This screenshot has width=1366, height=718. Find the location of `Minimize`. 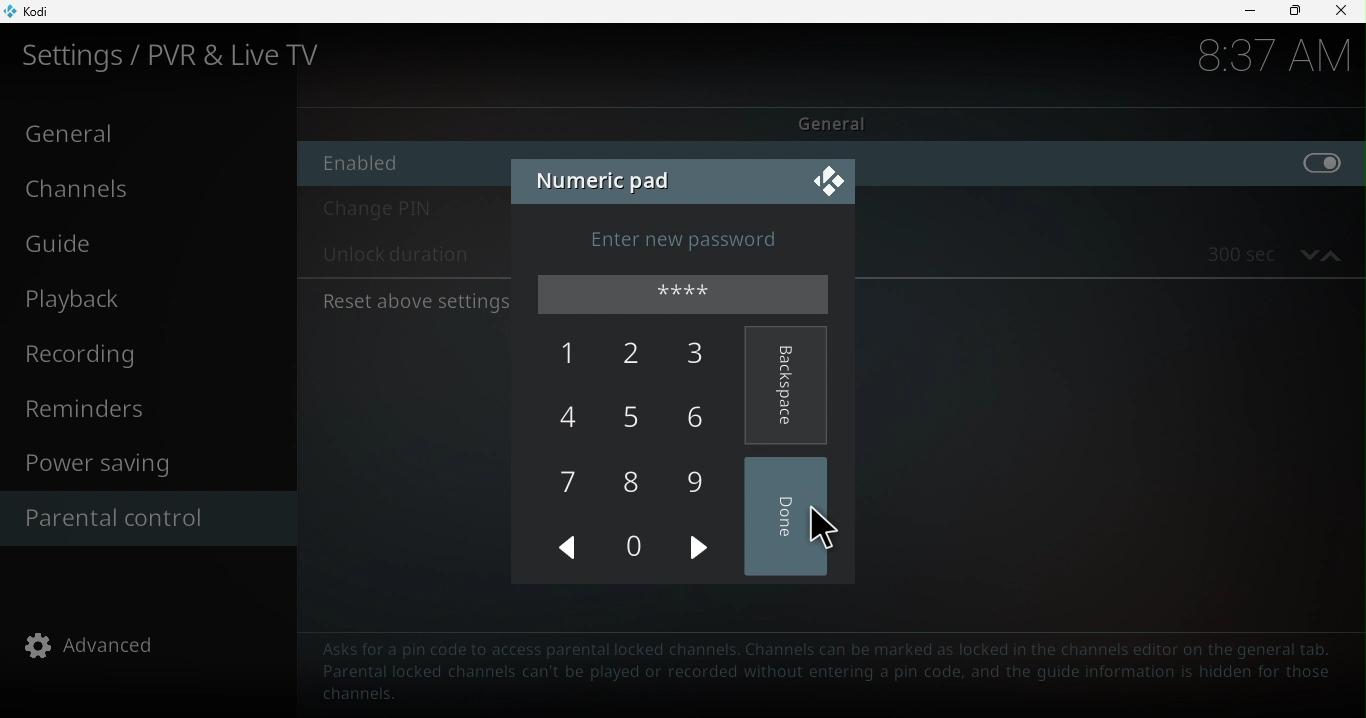

Minimize is located at coordinates (1249, 13).